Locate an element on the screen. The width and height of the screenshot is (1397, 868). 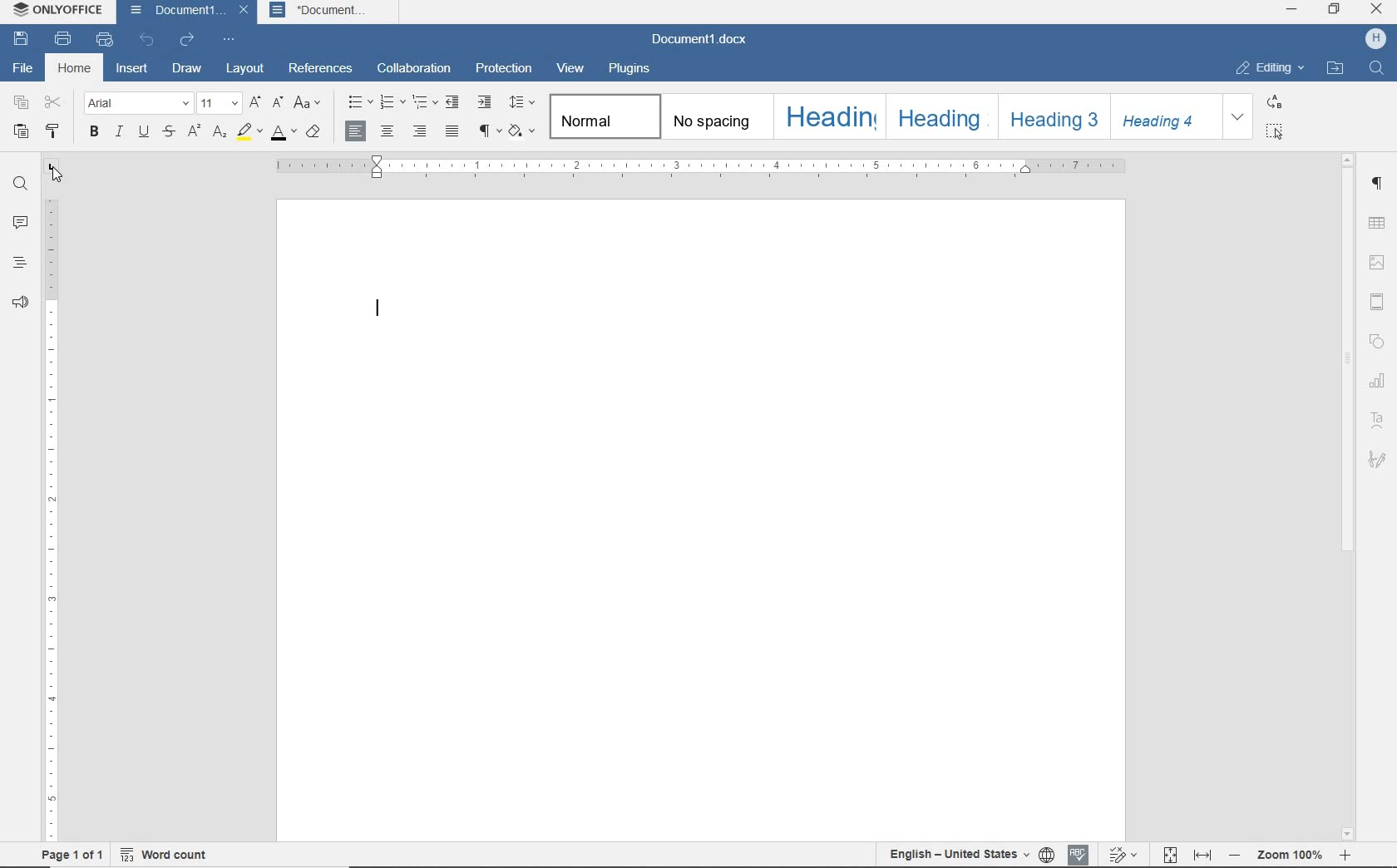
SUPERSCRIPT is located at coordinates (193, 132).